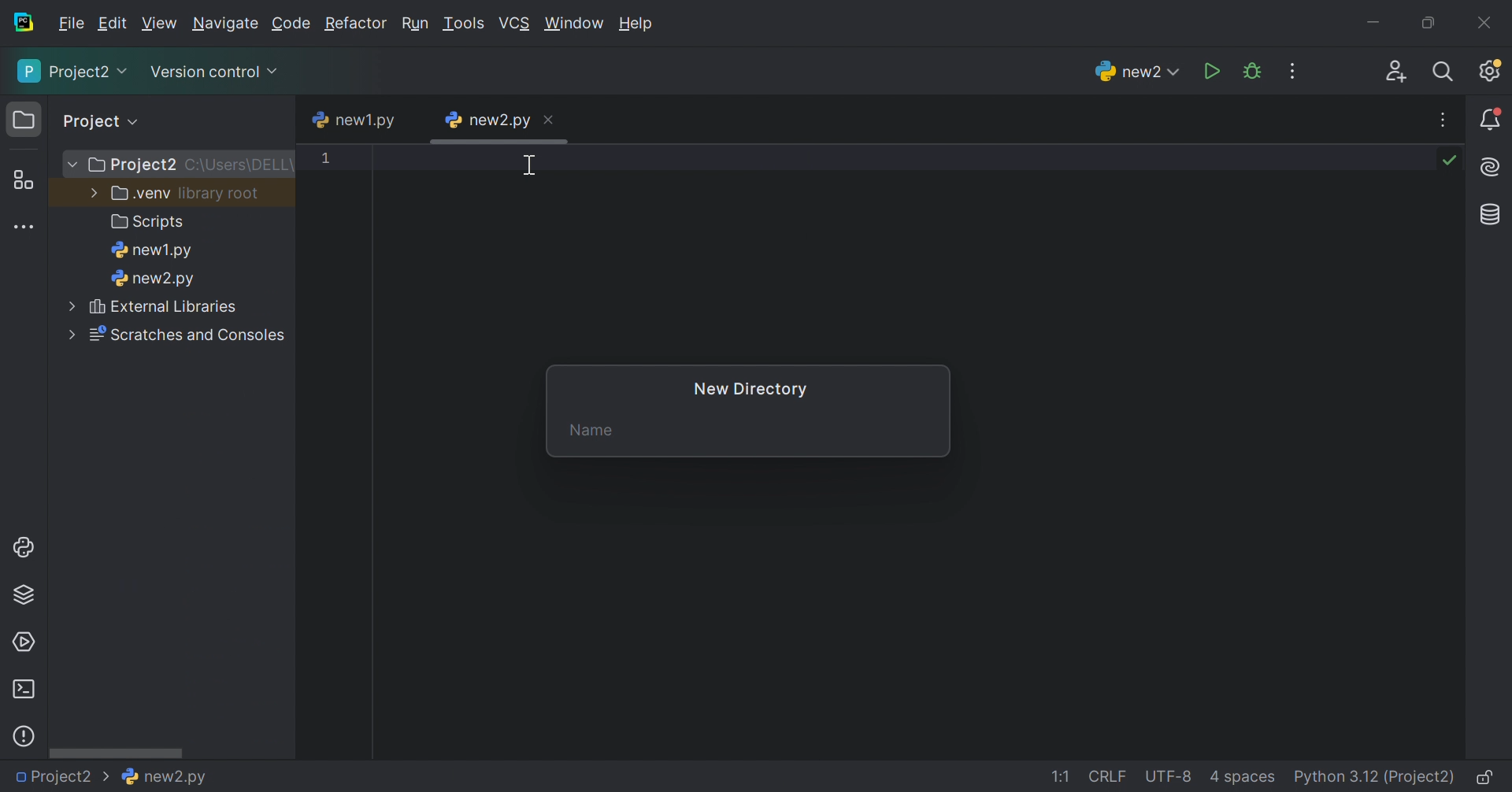  Describe the element at coordinates (241, 165) in the screenshot. I see `C:\Users\DELL\` at that location.